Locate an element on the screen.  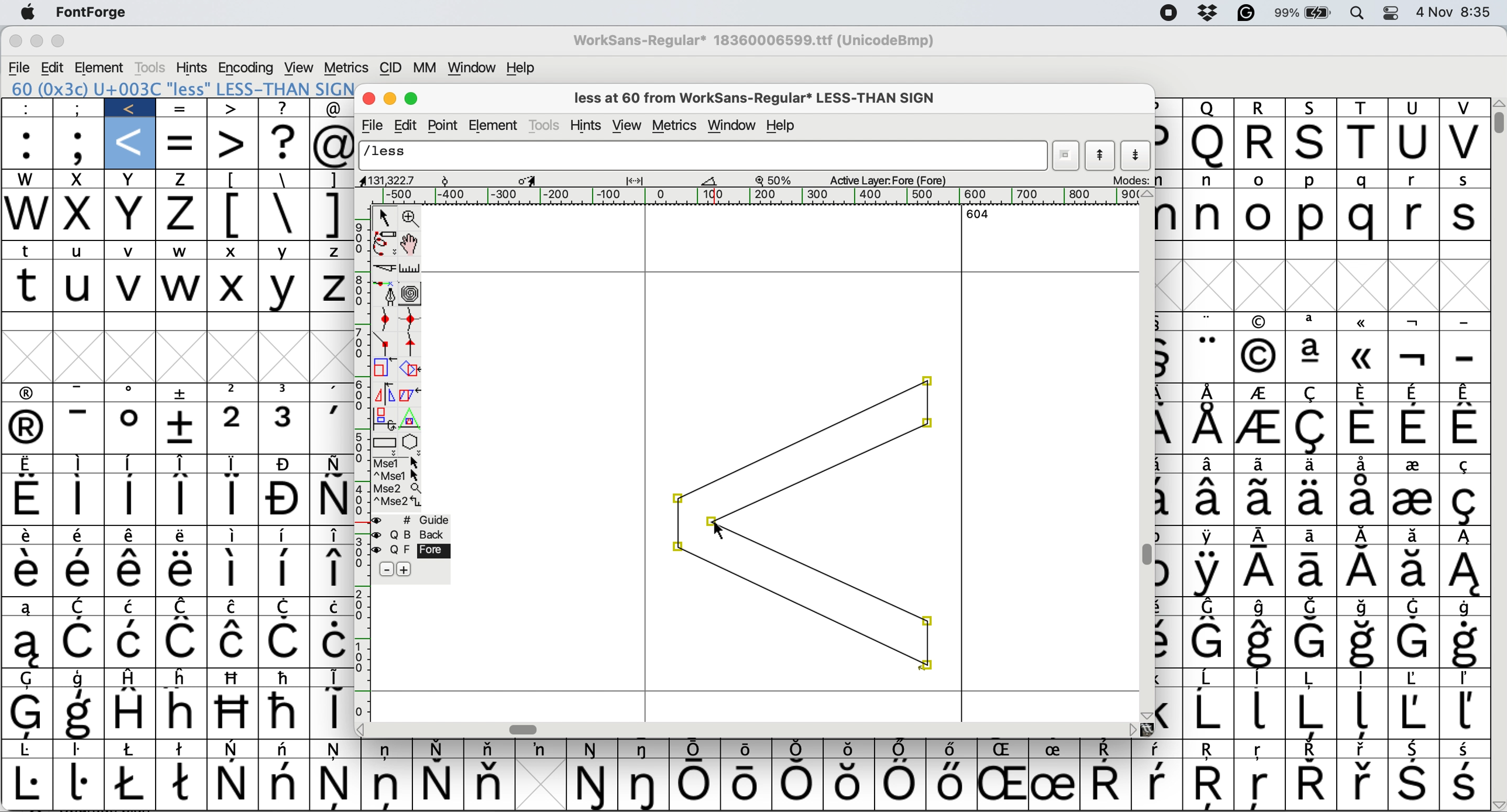
Symbol is located at coordinates (1261, 394).